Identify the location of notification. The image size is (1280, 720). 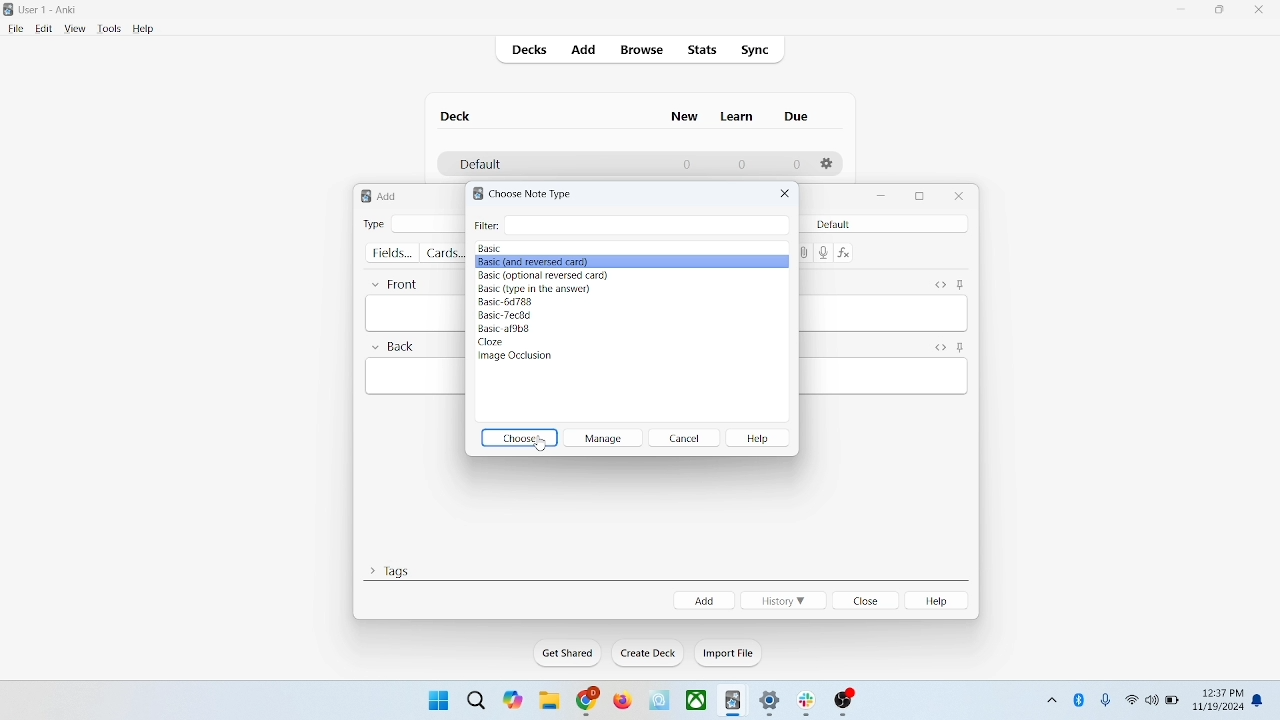
(1260, 700).